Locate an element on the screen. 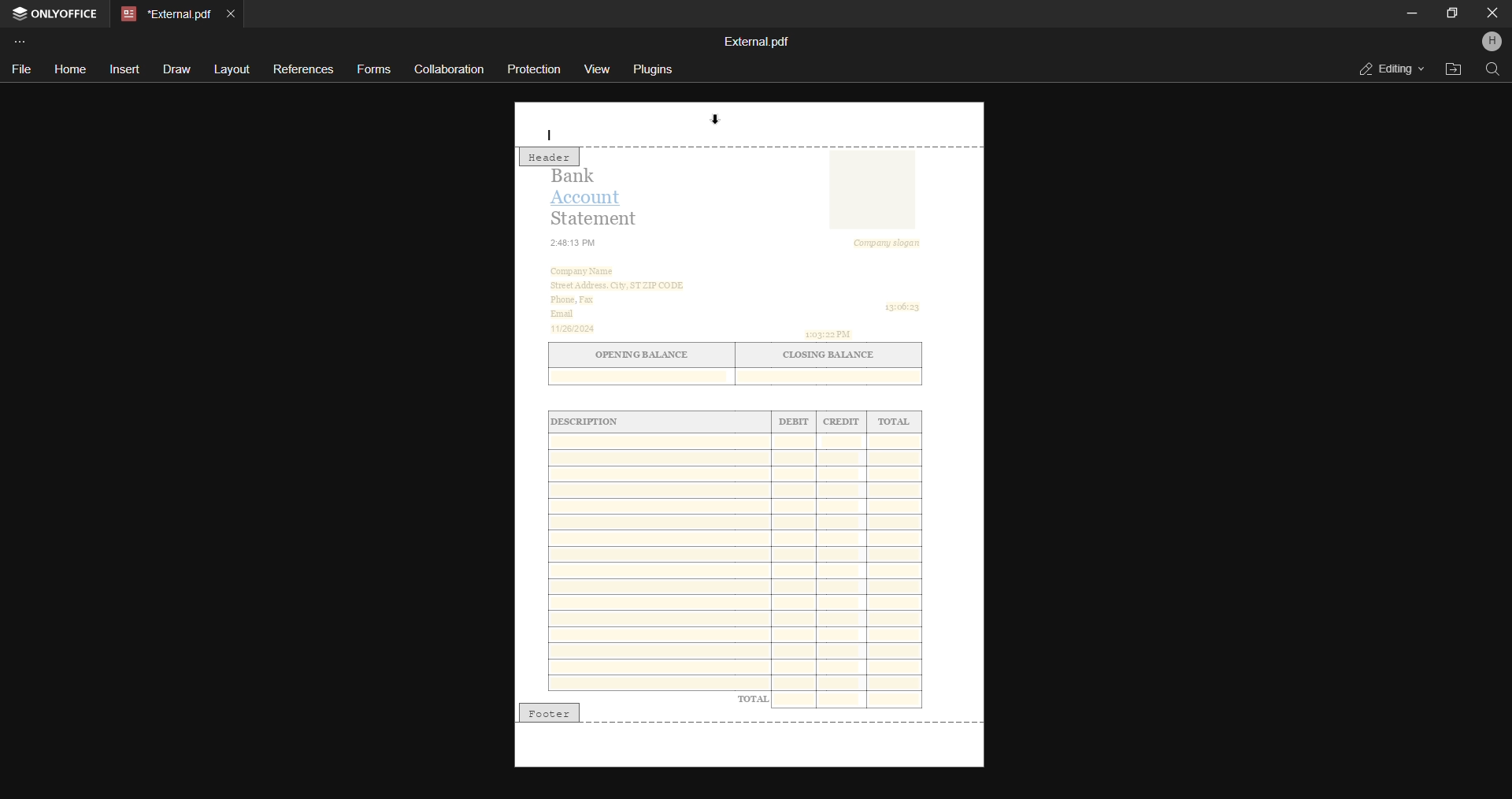  home is located at coordinates (69, 70).